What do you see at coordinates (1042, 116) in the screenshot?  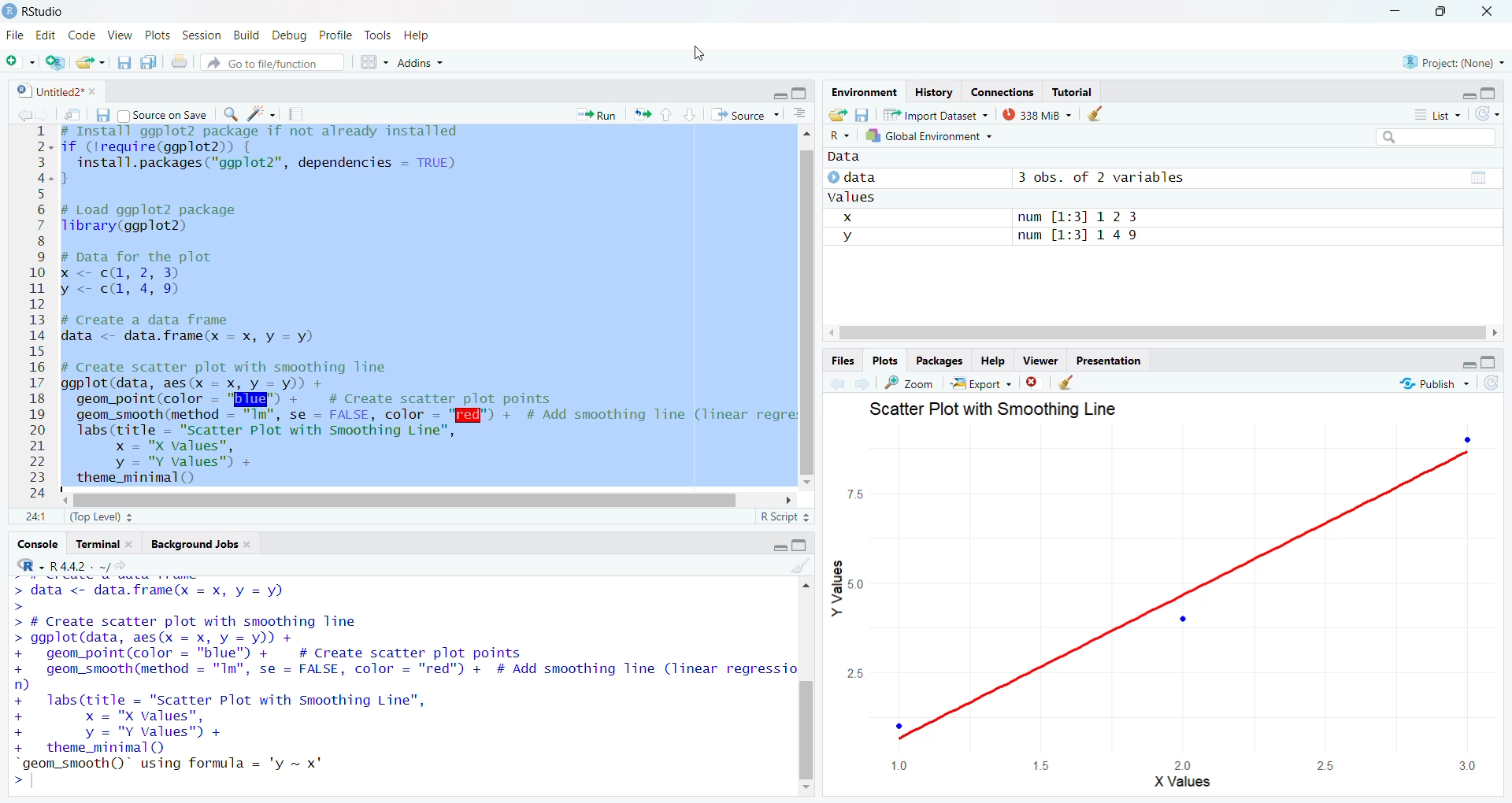 I see `337 mb` at bounding box center [1042, 116].